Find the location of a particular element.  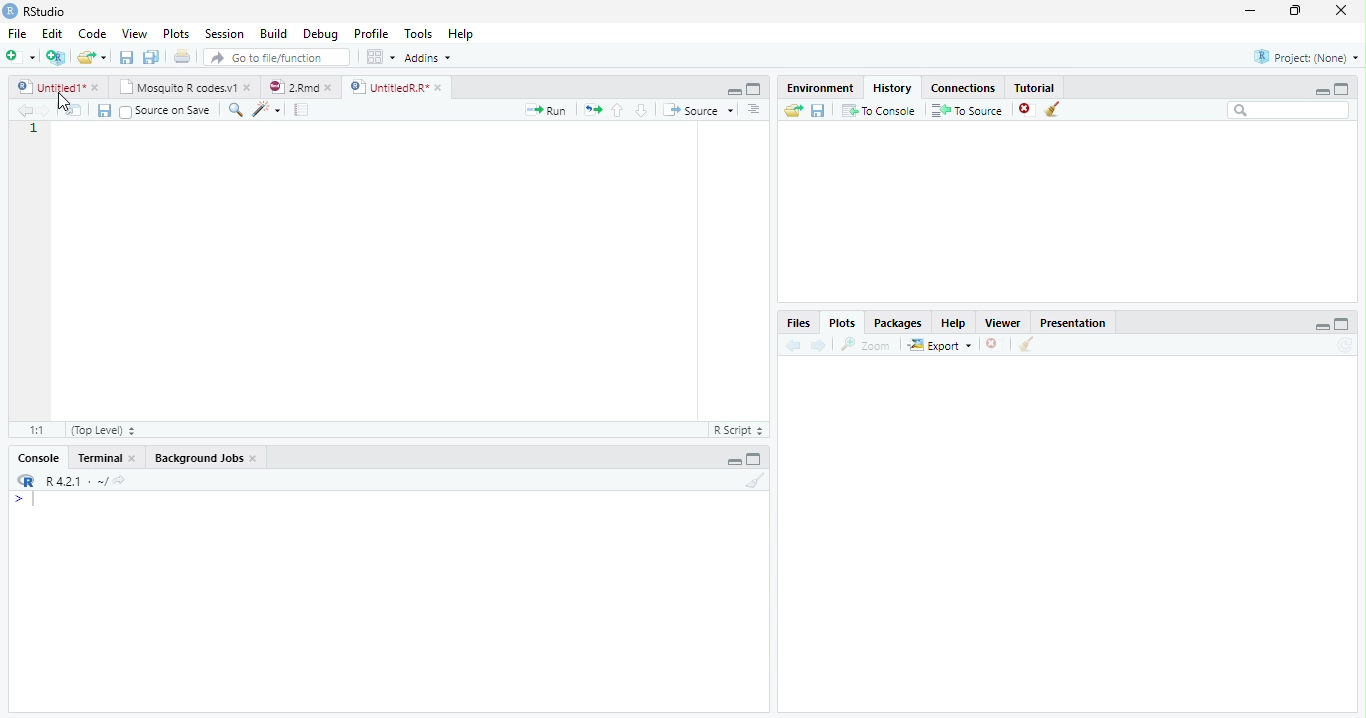

close is located at coordinates (247, 87).